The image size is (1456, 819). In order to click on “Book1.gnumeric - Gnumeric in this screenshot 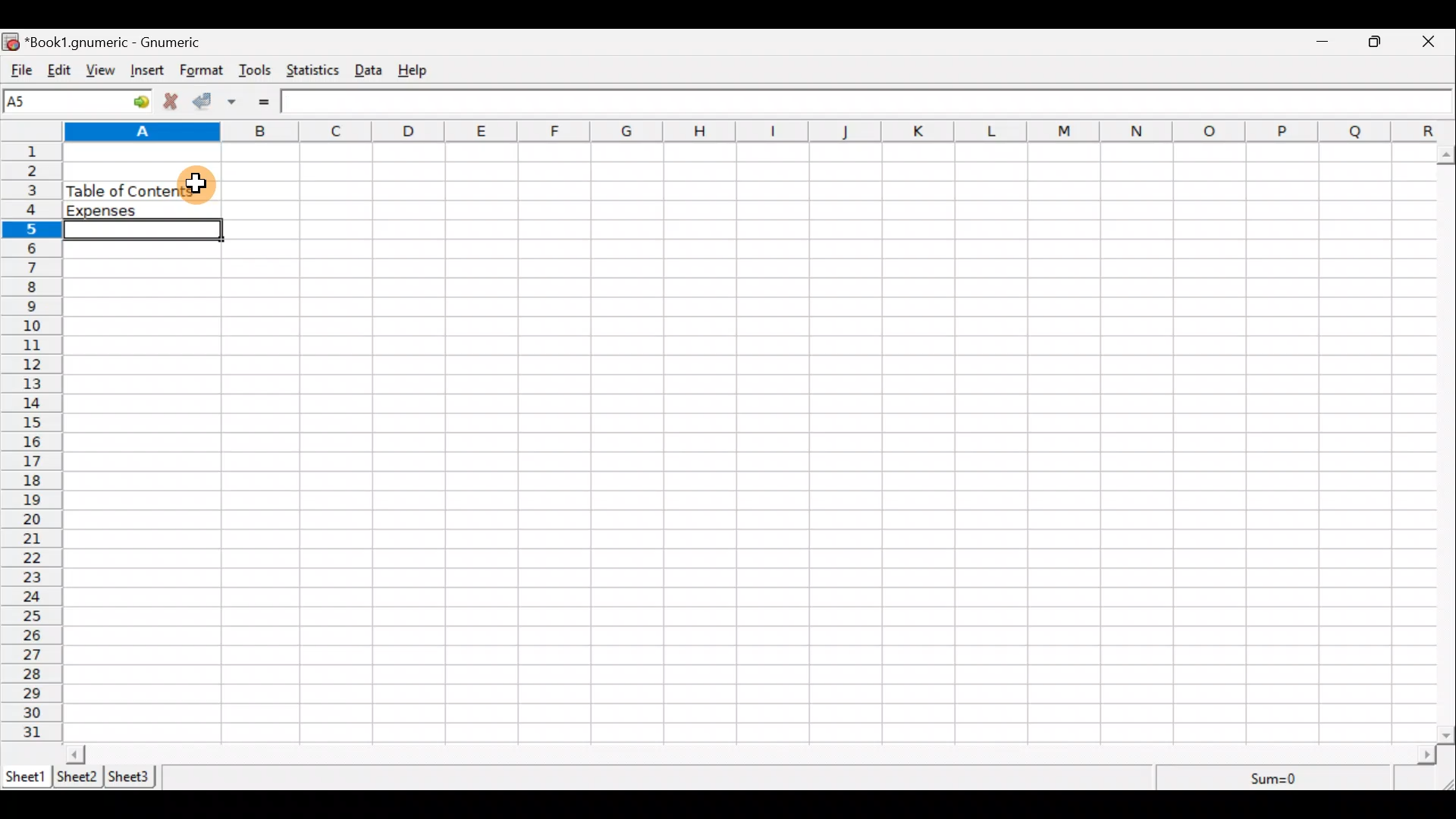, I will do `click(121, 42)`.